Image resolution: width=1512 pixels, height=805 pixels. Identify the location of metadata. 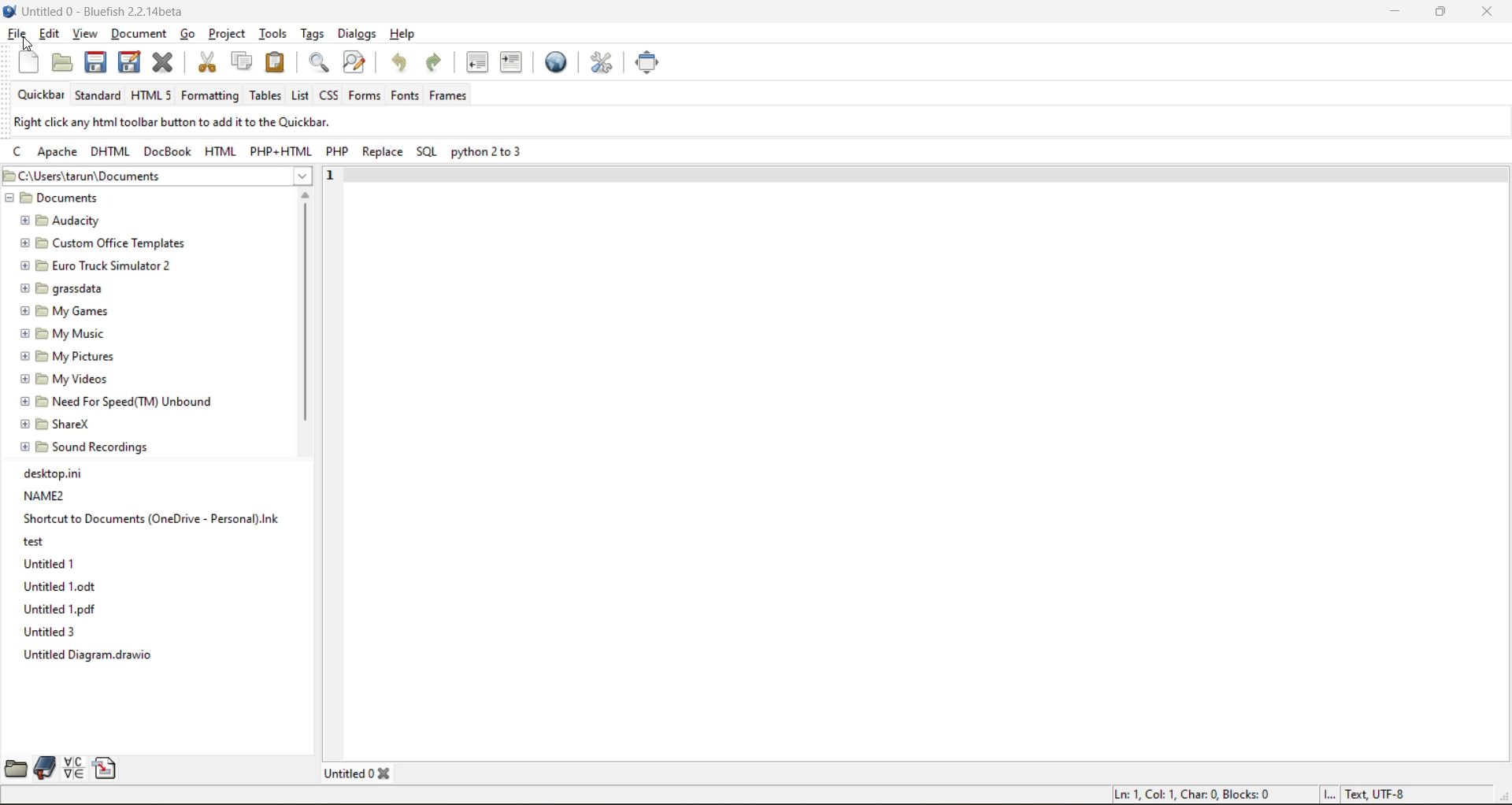
(1262, 795).